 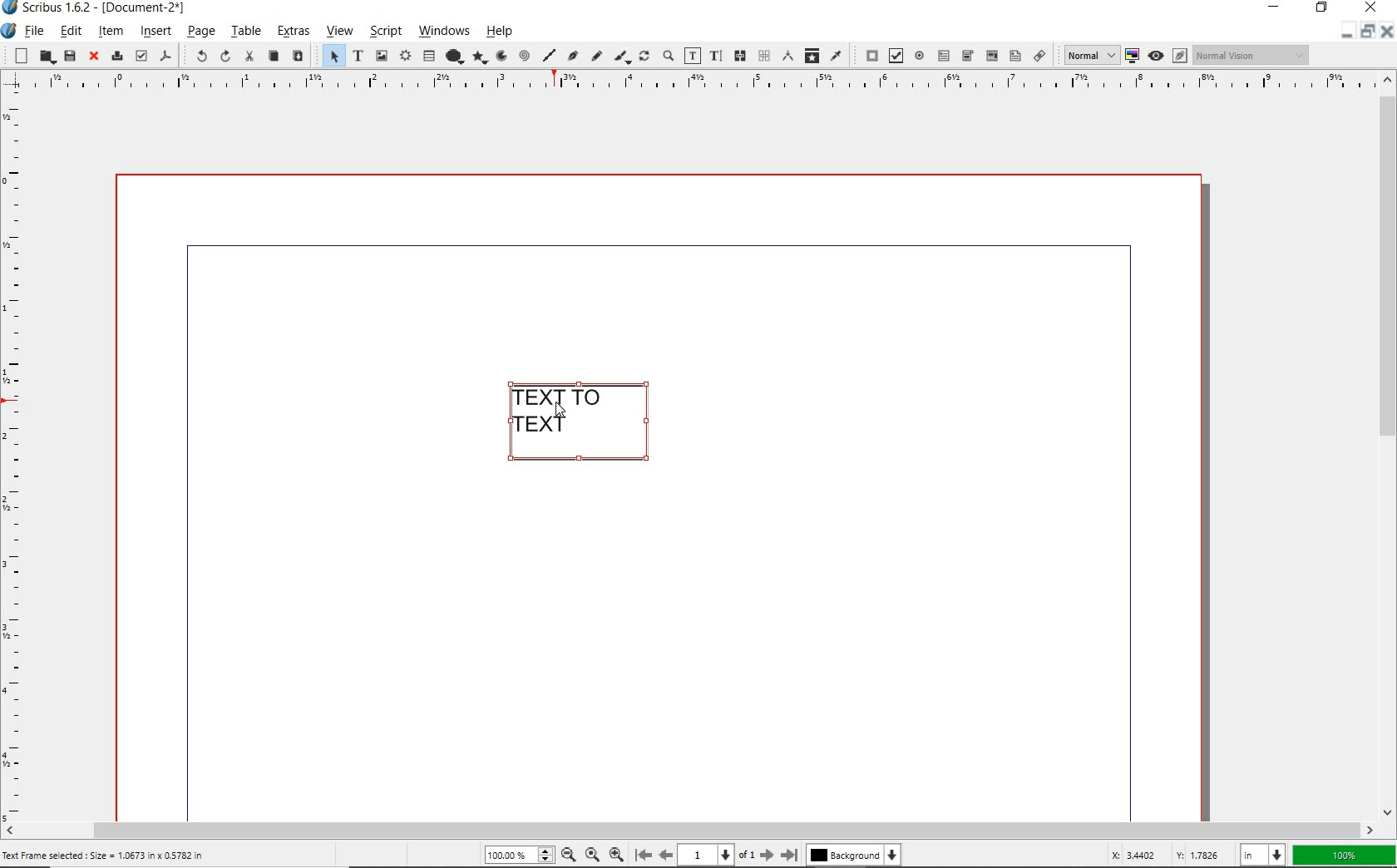 What do you see at coordinates (454, 55) in the screenshot?
I see `shape` at bounding box center [454, 55].